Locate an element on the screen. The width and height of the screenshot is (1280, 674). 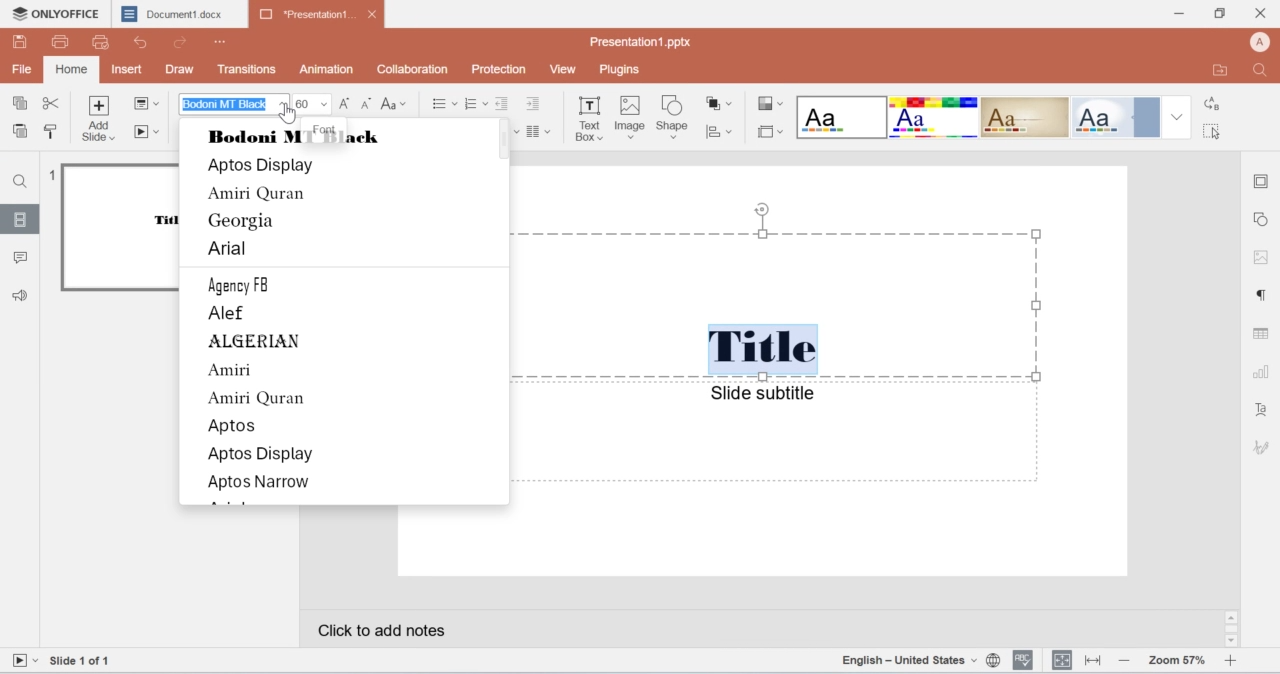
Bodoni black is located at coordinates (304, 138).